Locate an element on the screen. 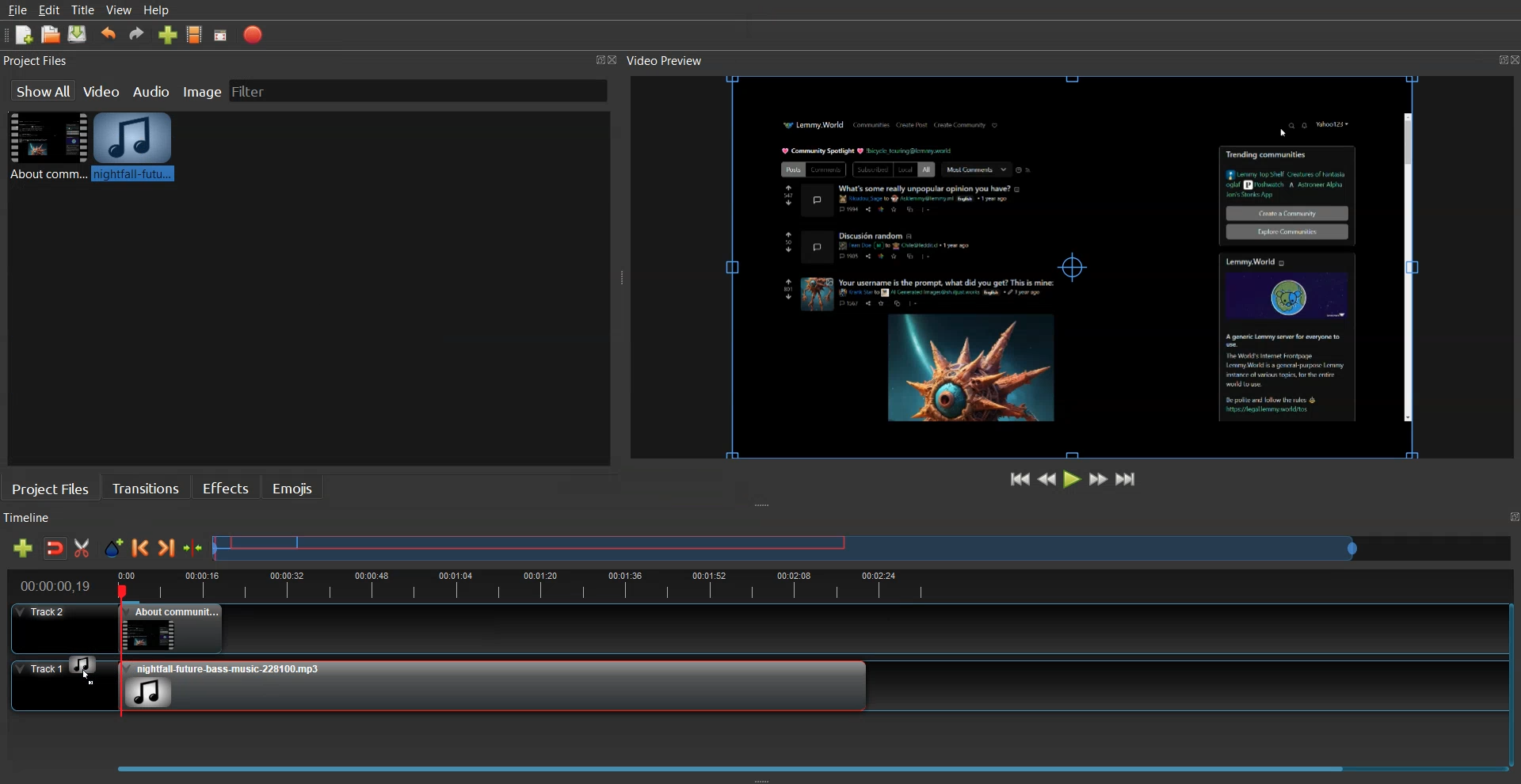  Redo is located at coordinates (137, 33).